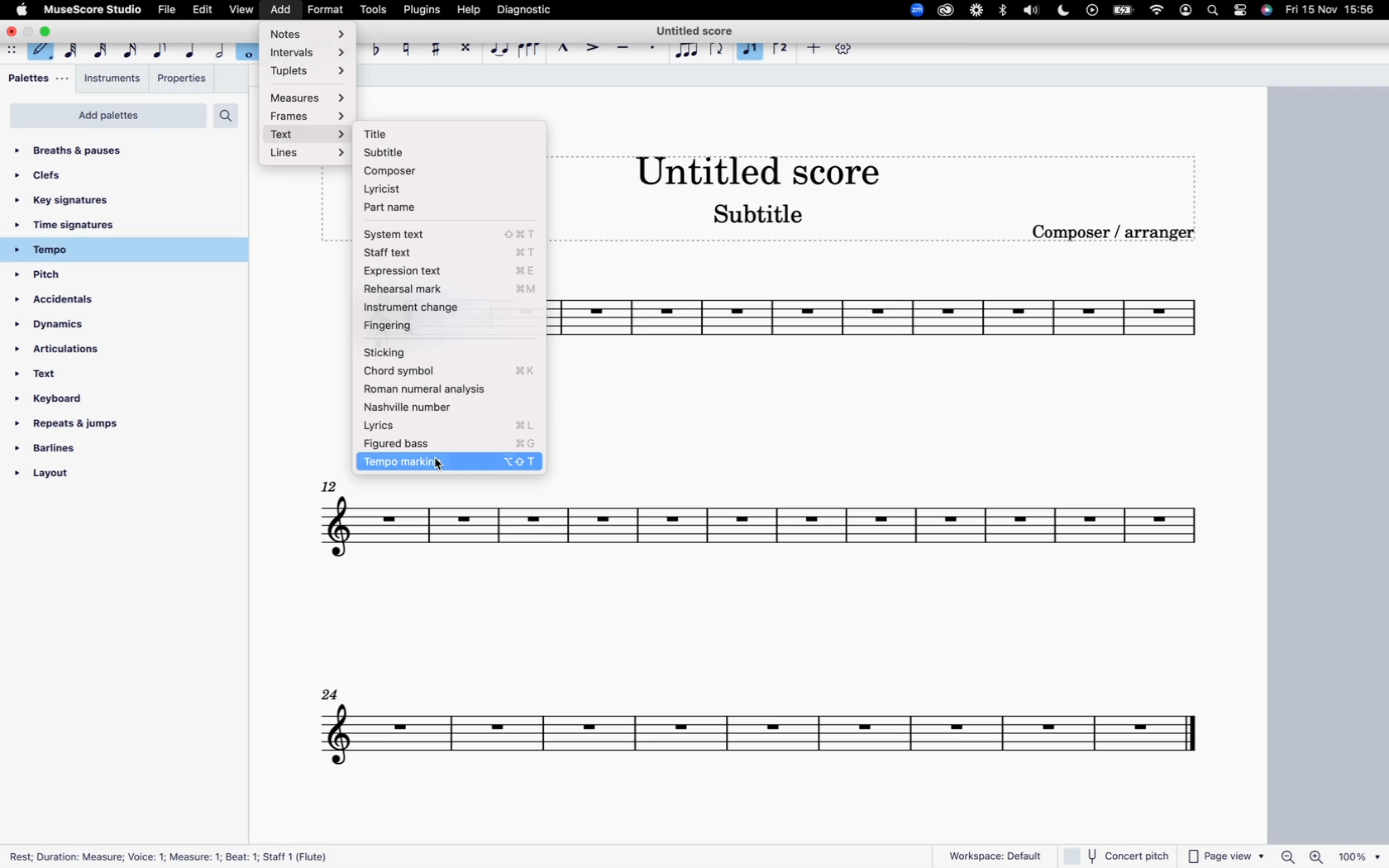 The width and height of the screenshot is (1389, 868). I want to click on properties, so click(181, 79).